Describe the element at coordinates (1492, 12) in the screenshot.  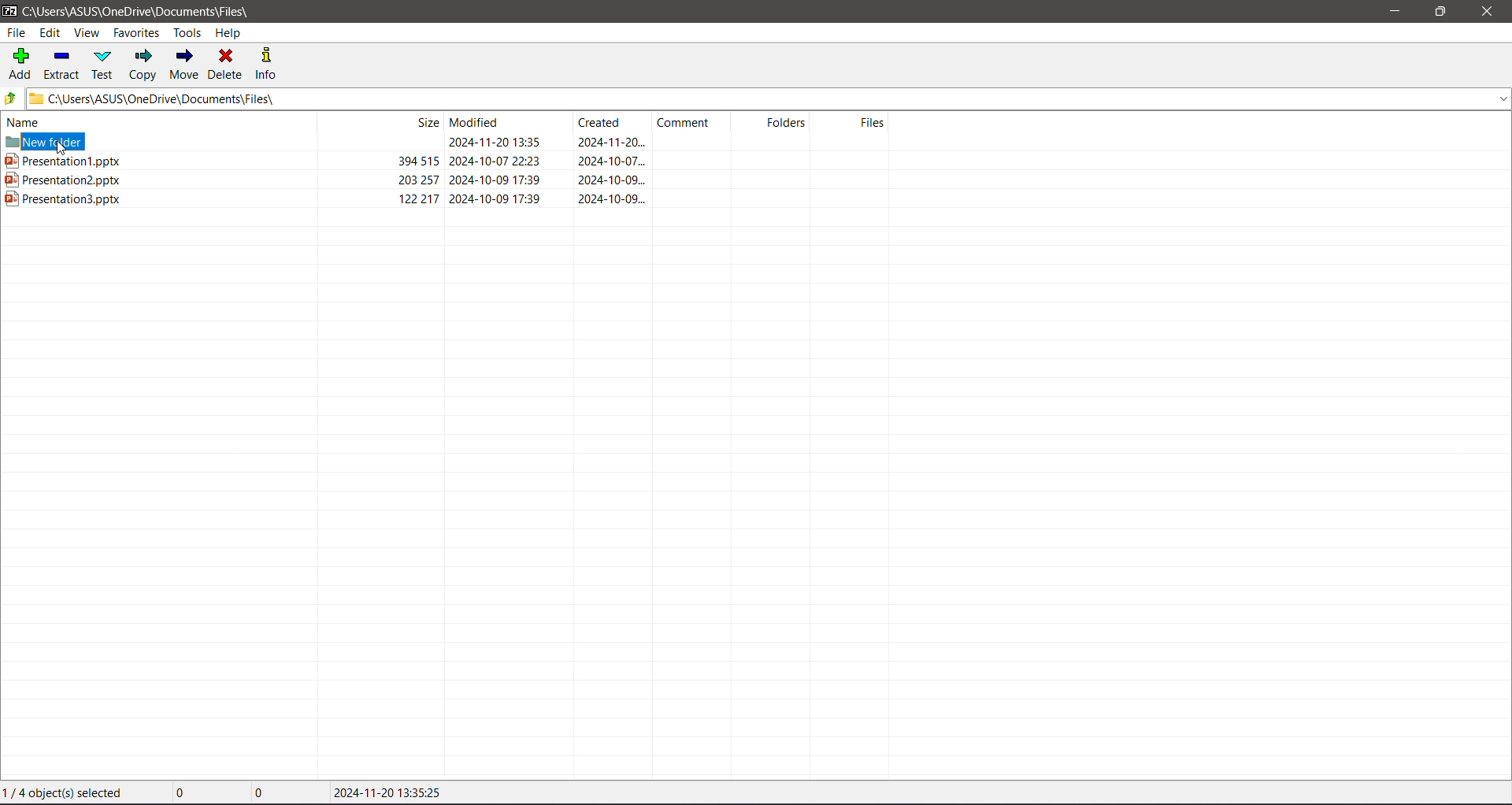
I see `Close` at that location.